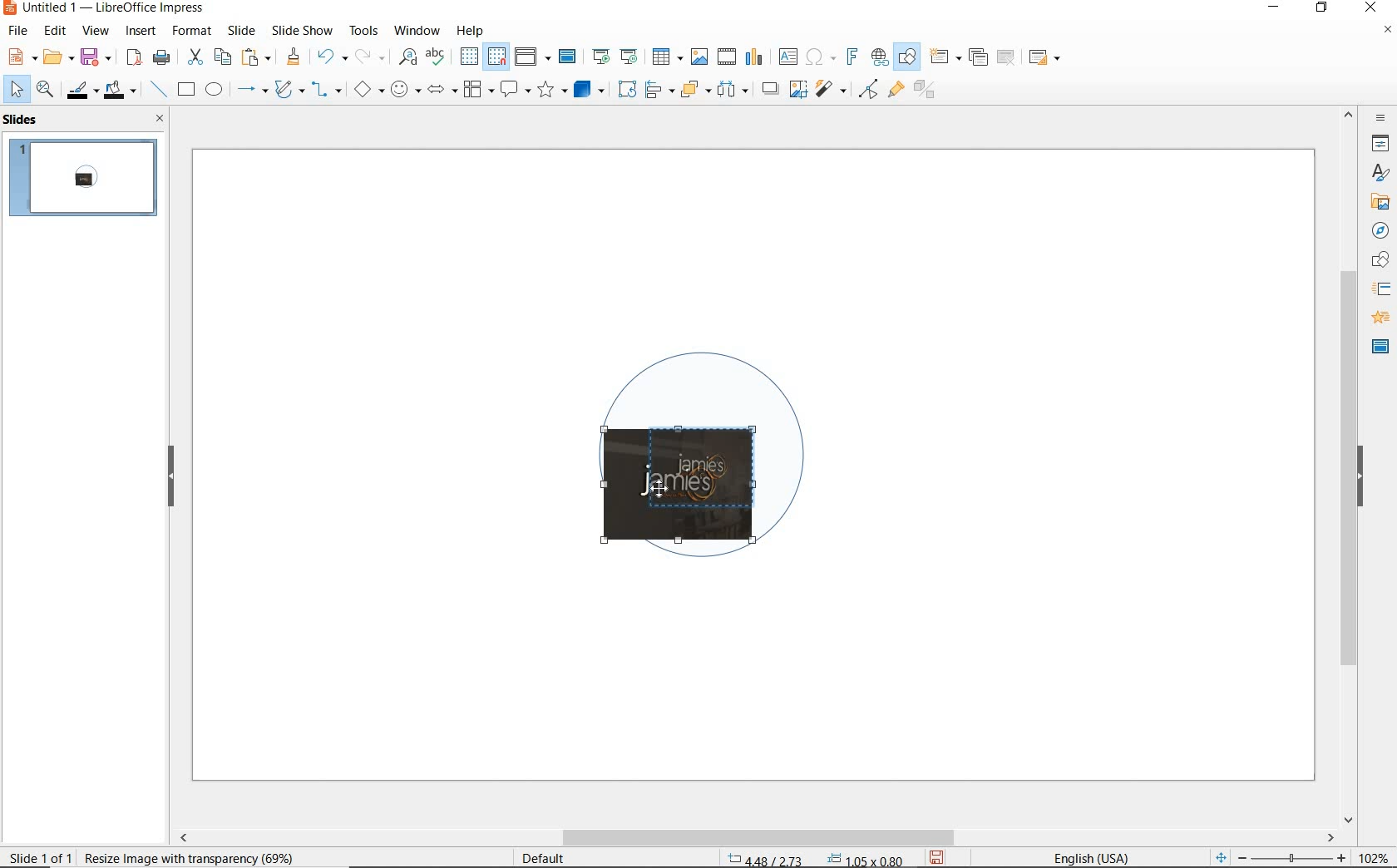 The image size is (1397, 868). What do you see at coordinates (665, 57) in the screenshot?
I see `insert table` at bounding box center [665, 57].